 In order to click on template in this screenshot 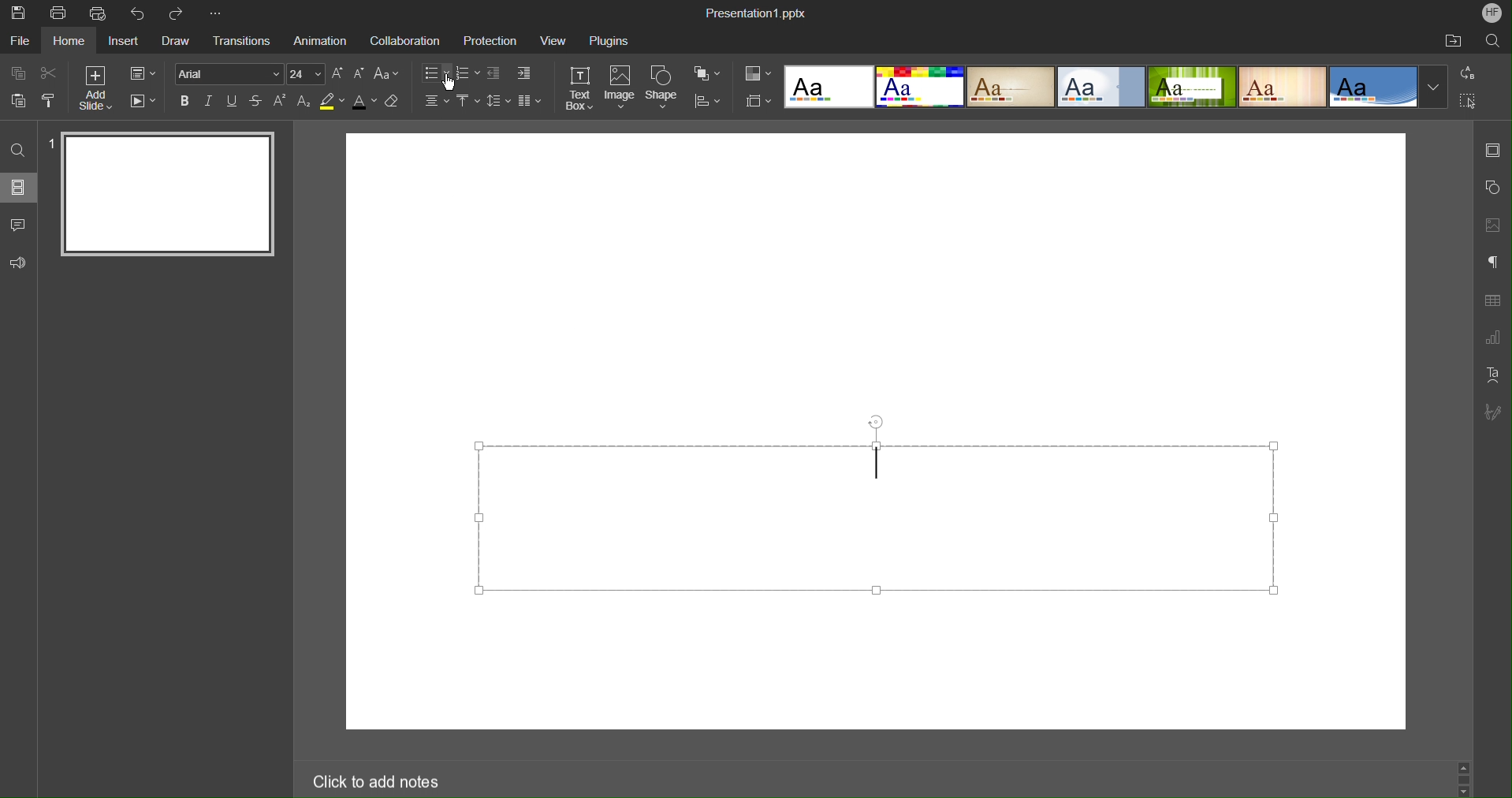, I will do `click(1010, 88)`.